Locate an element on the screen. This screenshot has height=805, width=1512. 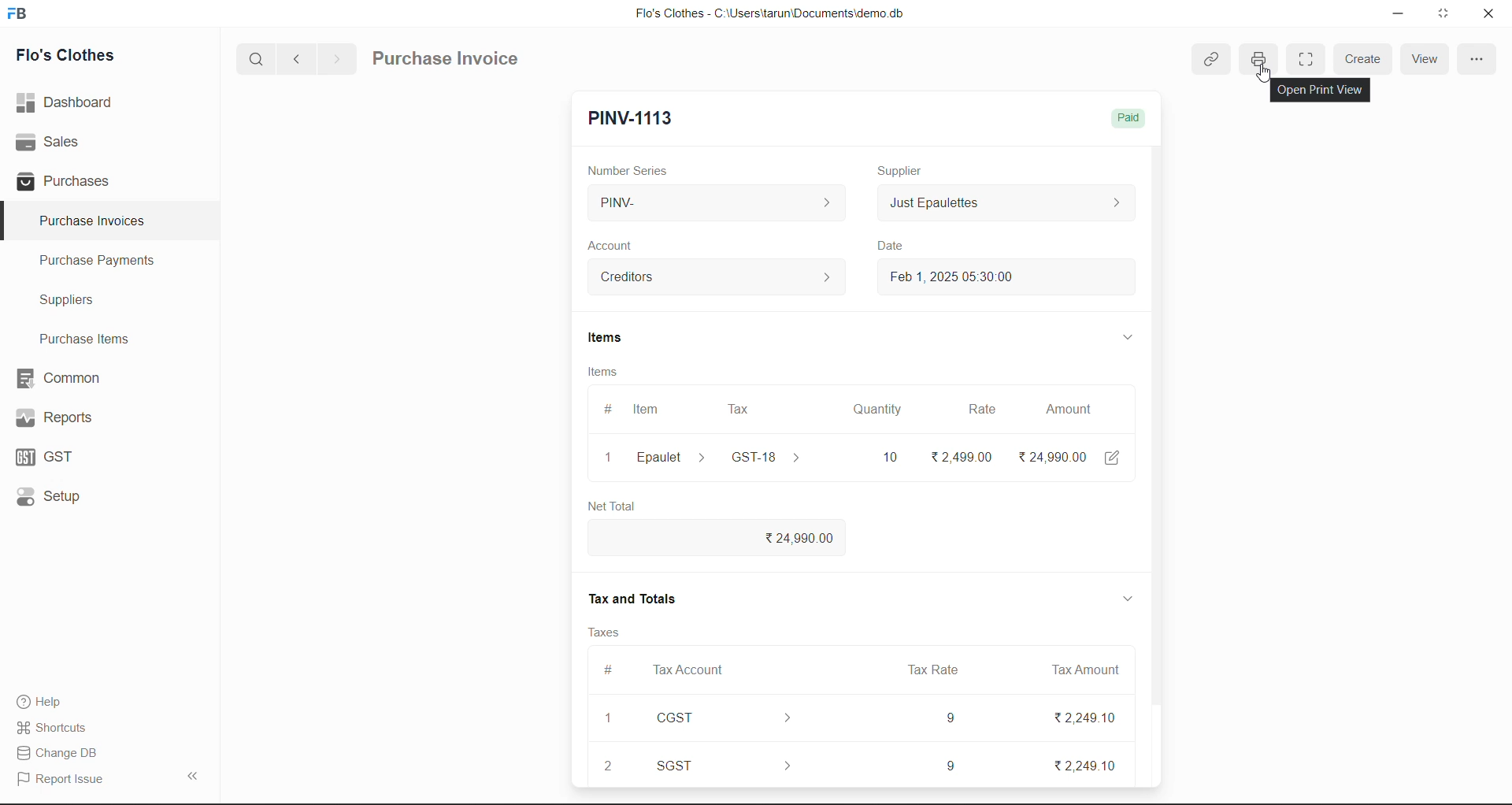
next is located at coordinates (336, 58).